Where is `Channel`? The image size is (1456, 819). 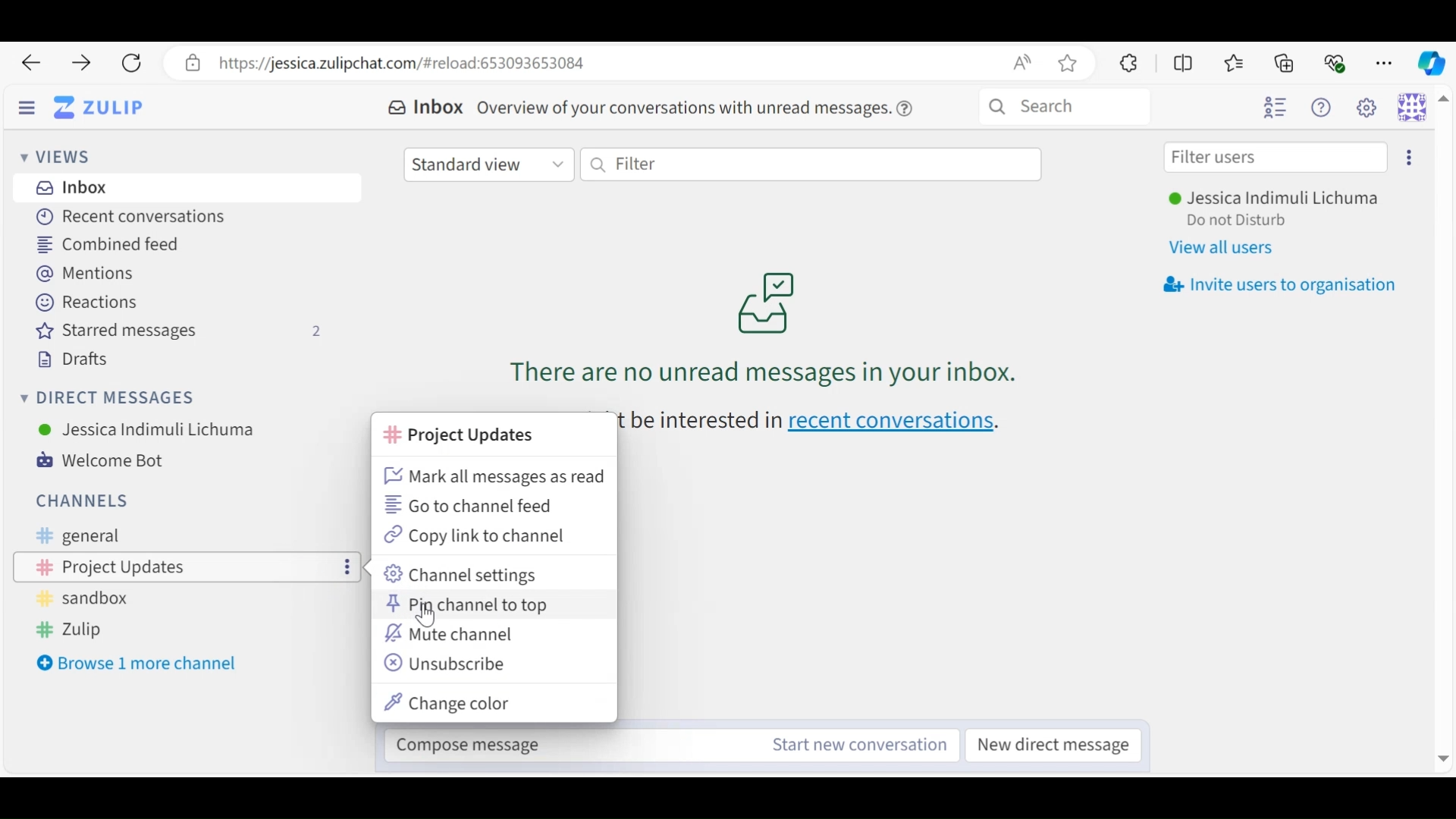
Channel is located at coordinates (181, 630).